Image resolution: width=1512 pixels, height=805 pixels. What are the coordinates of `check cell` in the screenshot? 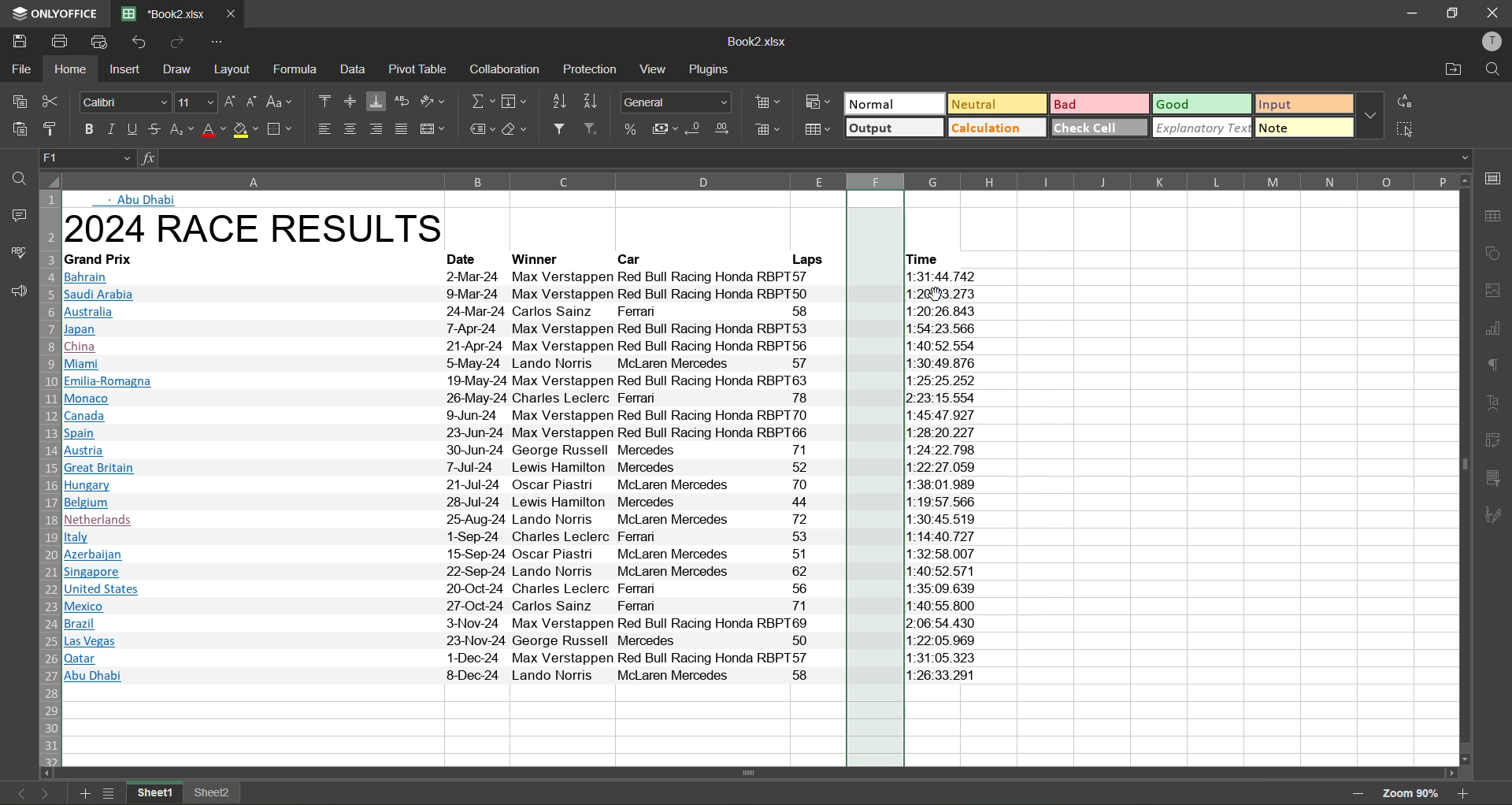 It's located at (1100, 128).